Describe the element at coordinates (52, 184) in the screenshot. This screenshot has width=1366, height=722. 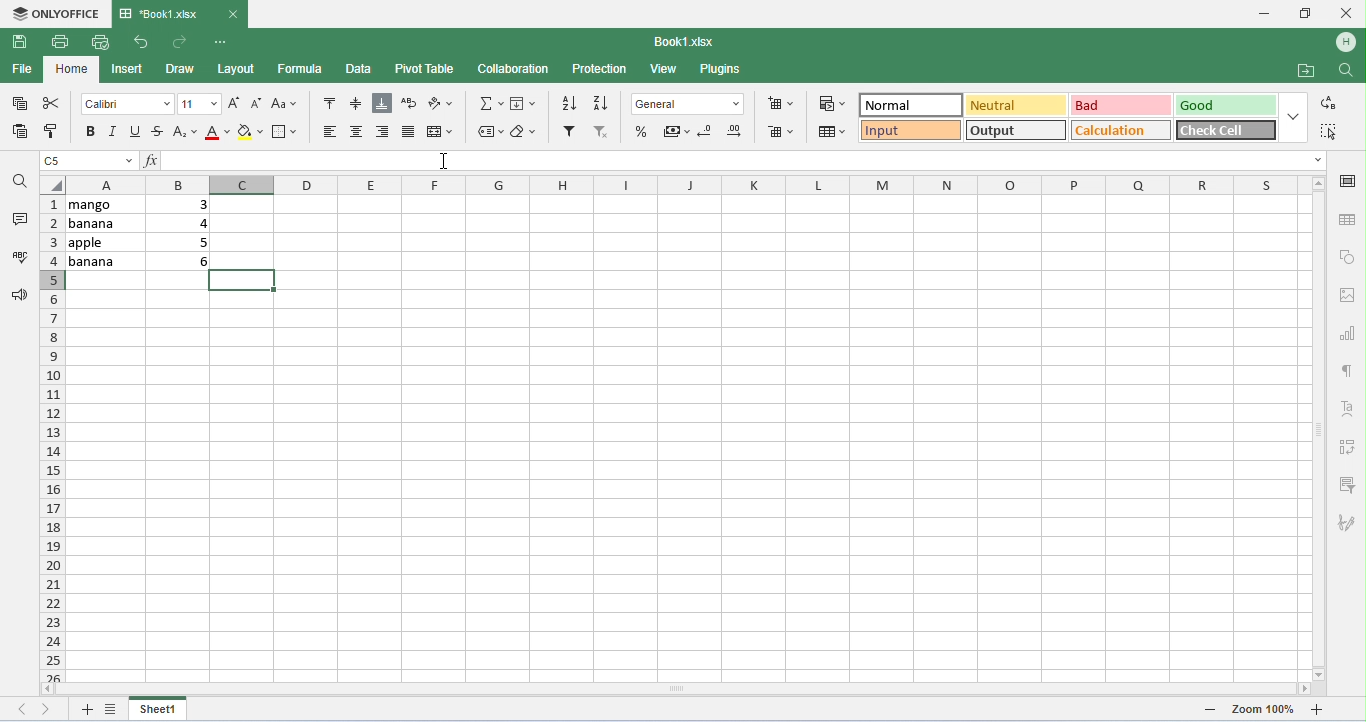
I see `select all cells` at that location.